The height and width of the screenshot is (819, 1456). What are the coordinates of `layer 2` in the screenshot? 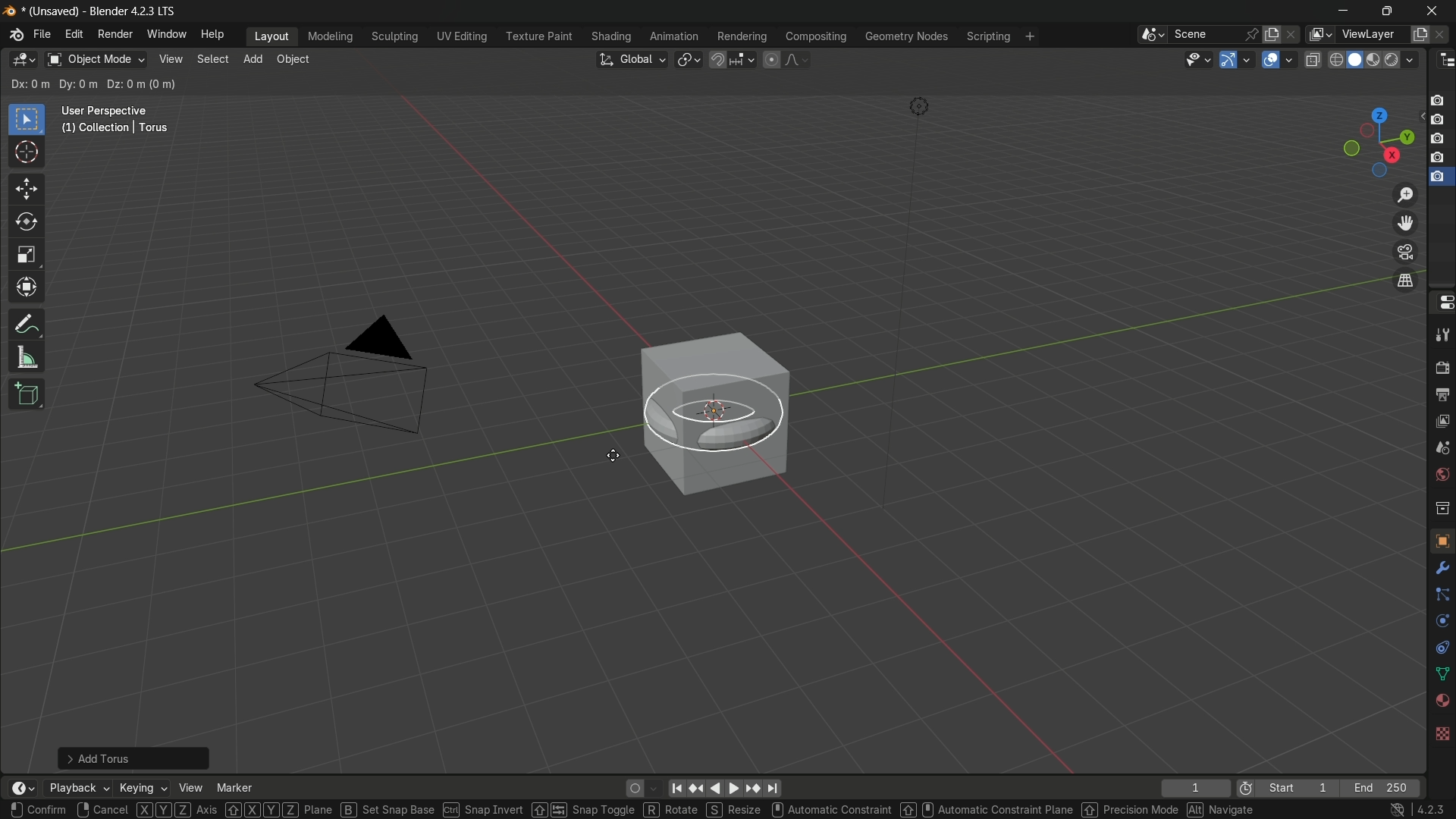 It's located at (1436, 119).